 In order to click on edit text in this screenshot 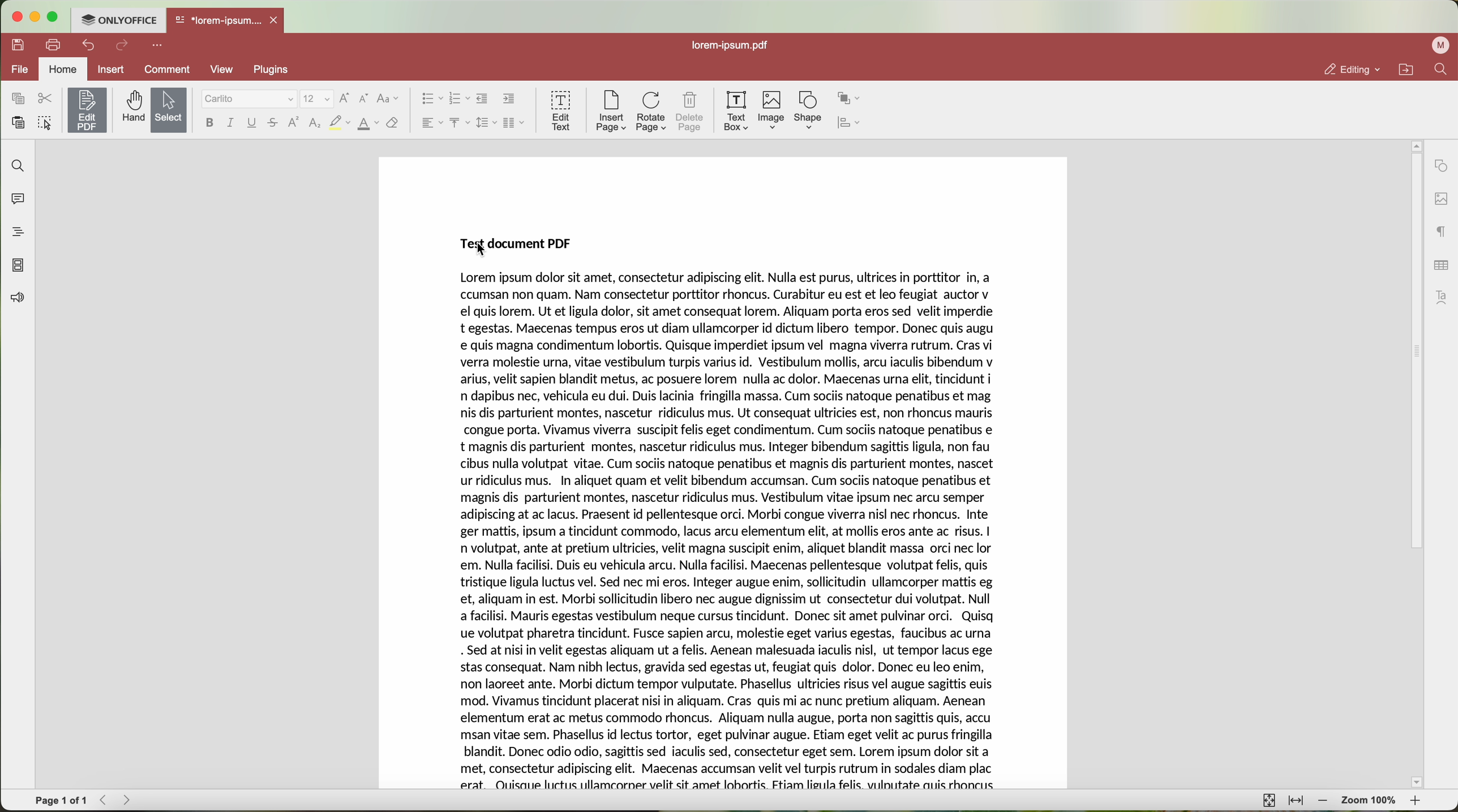, I will do `click(559, 111)`.